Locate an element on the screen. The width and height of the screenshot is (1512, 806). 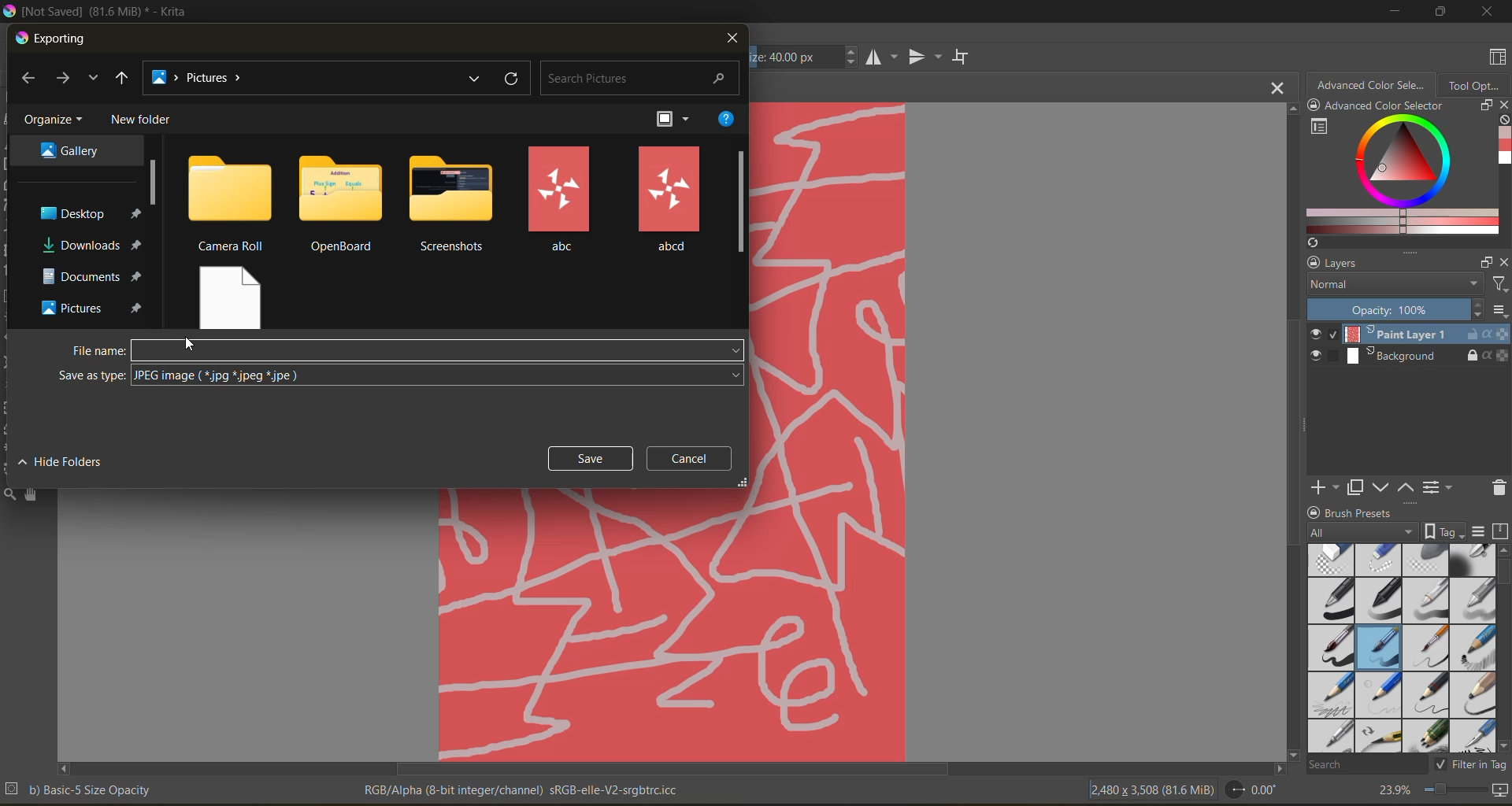
search is located at coordinates (1366, 763).